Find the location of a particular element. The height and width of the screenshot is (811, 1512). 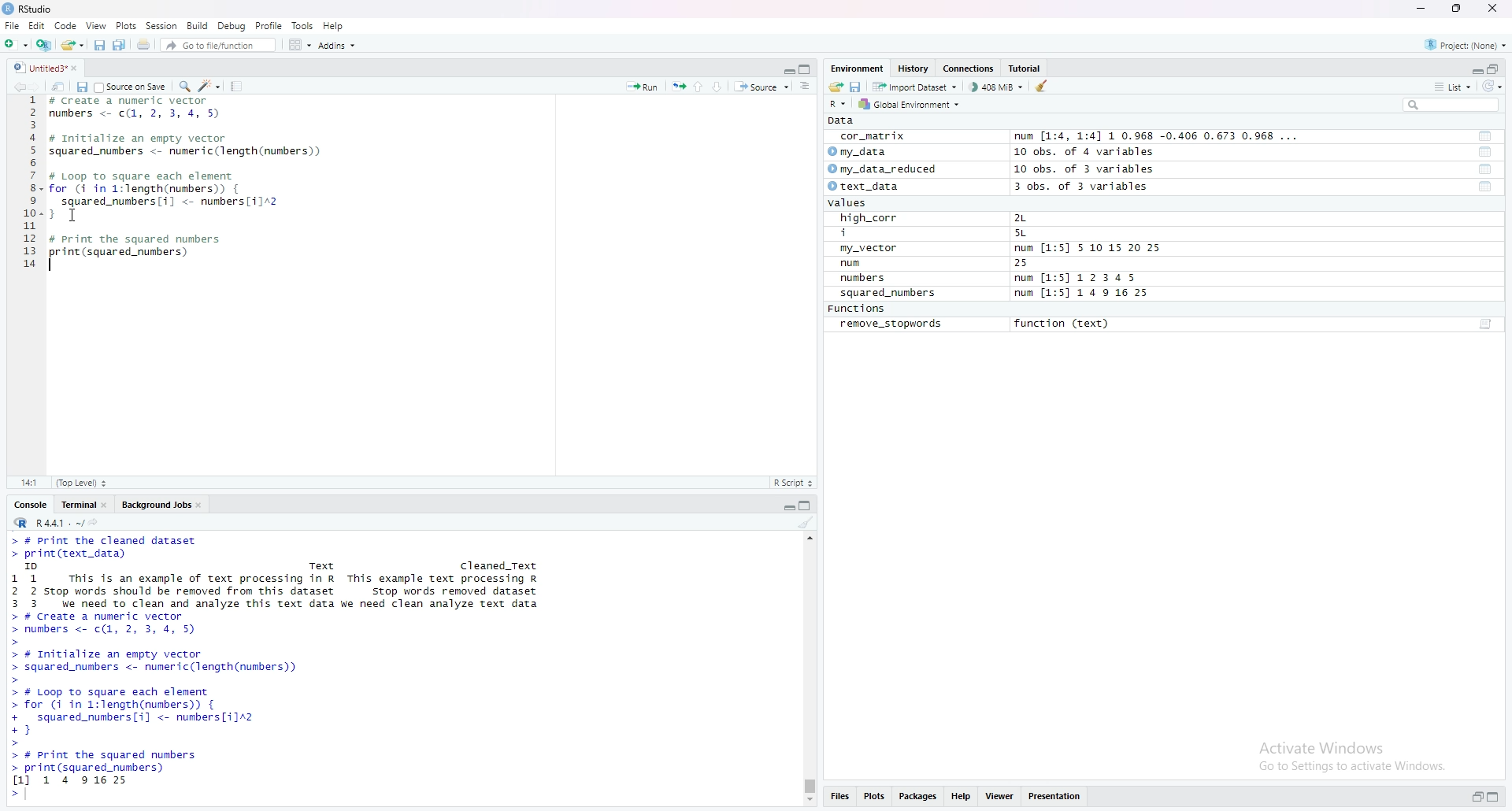

num [1:5] 1 2 345 is located at coordinates (1080, 279).